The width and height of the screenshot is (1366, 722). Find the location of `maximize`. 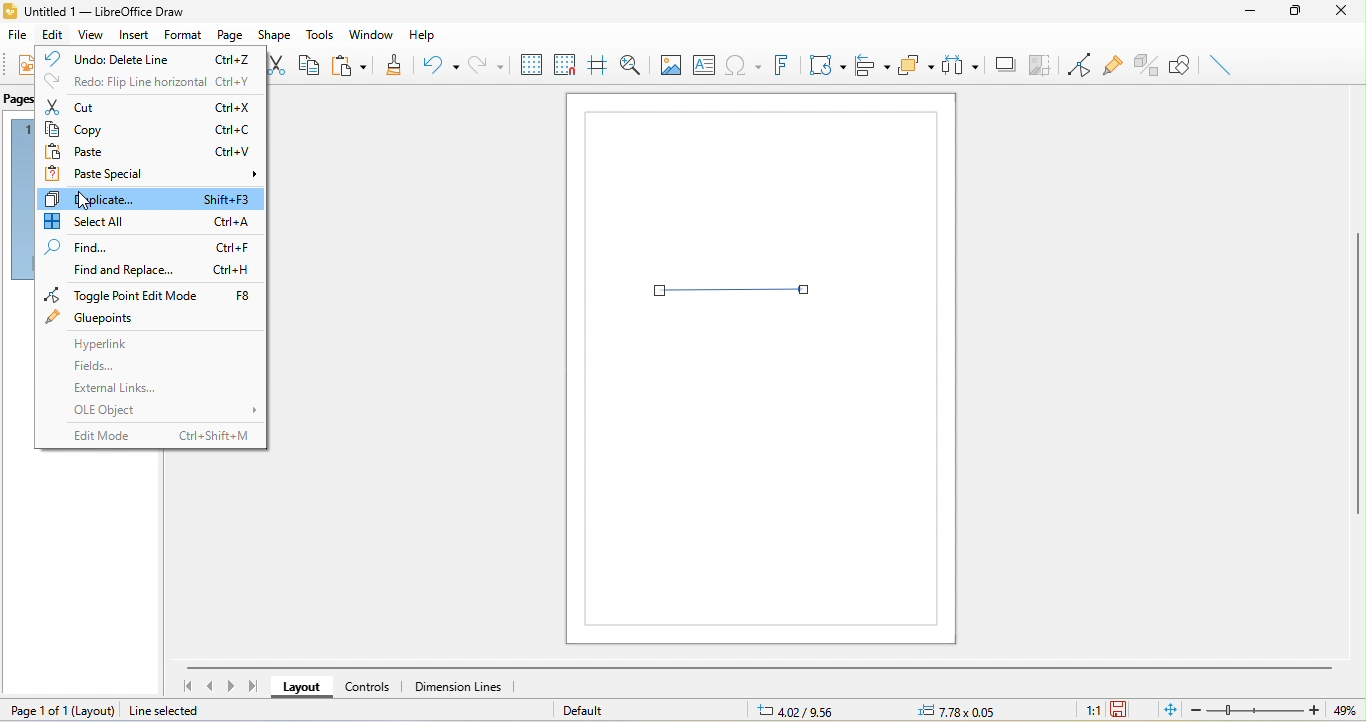

maximize is located at coordinates (1297, 14).